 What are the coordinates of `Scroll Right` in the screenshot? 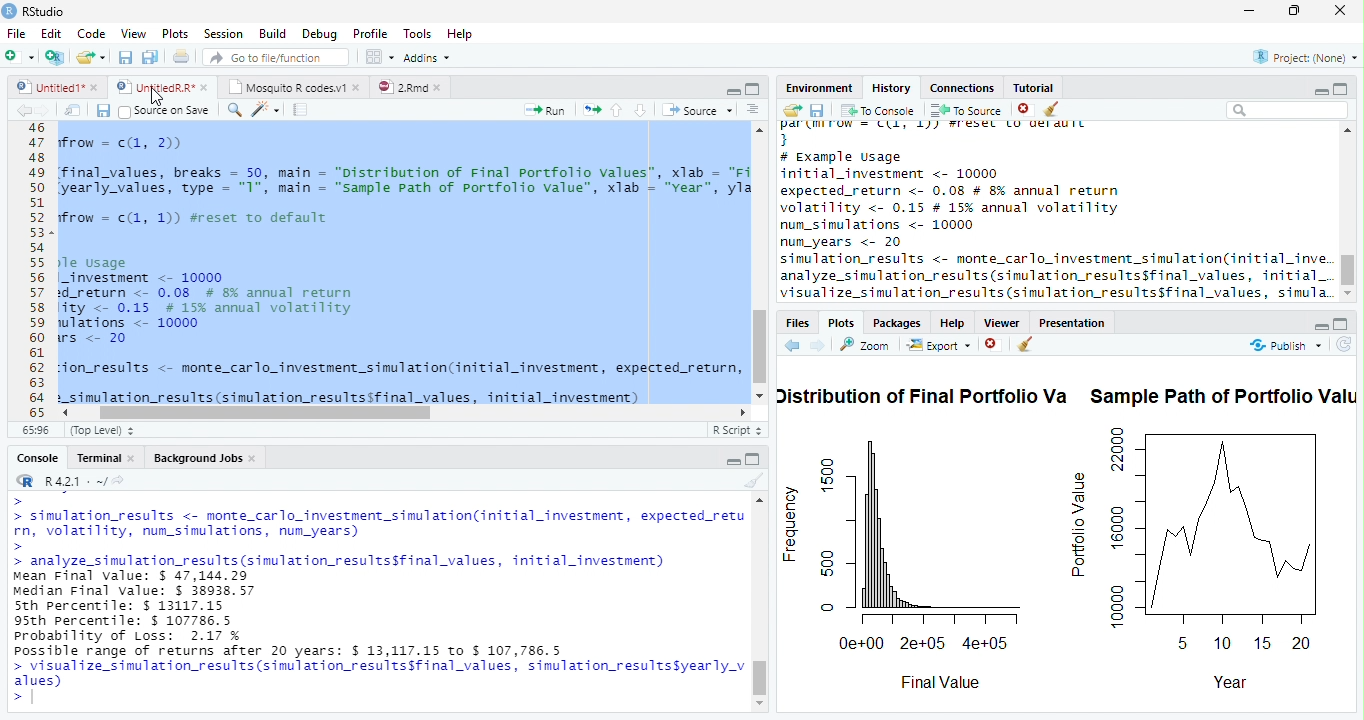 It's located at (743, 411).